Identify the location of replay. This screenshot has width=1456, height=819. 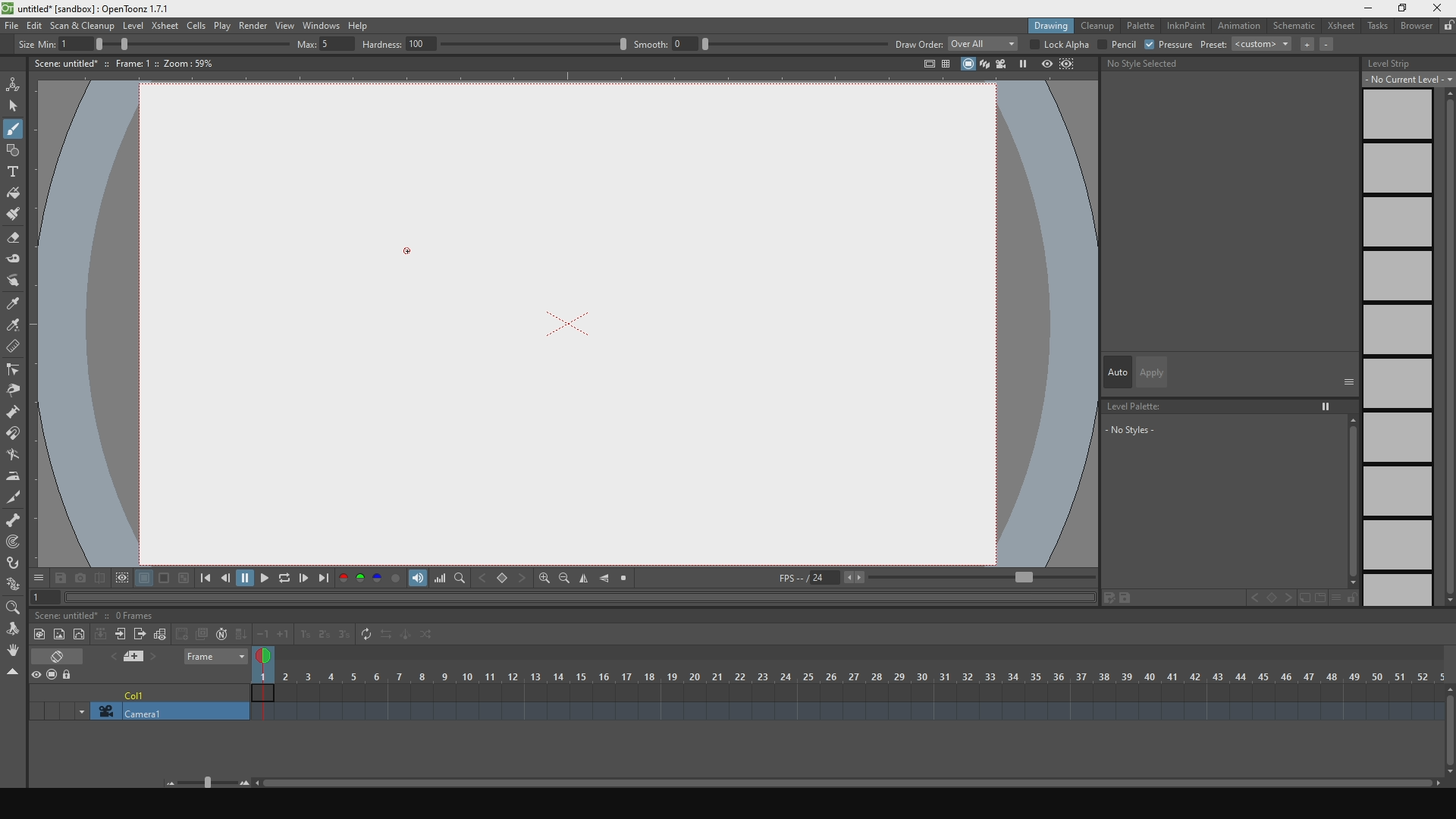
(287, 582).